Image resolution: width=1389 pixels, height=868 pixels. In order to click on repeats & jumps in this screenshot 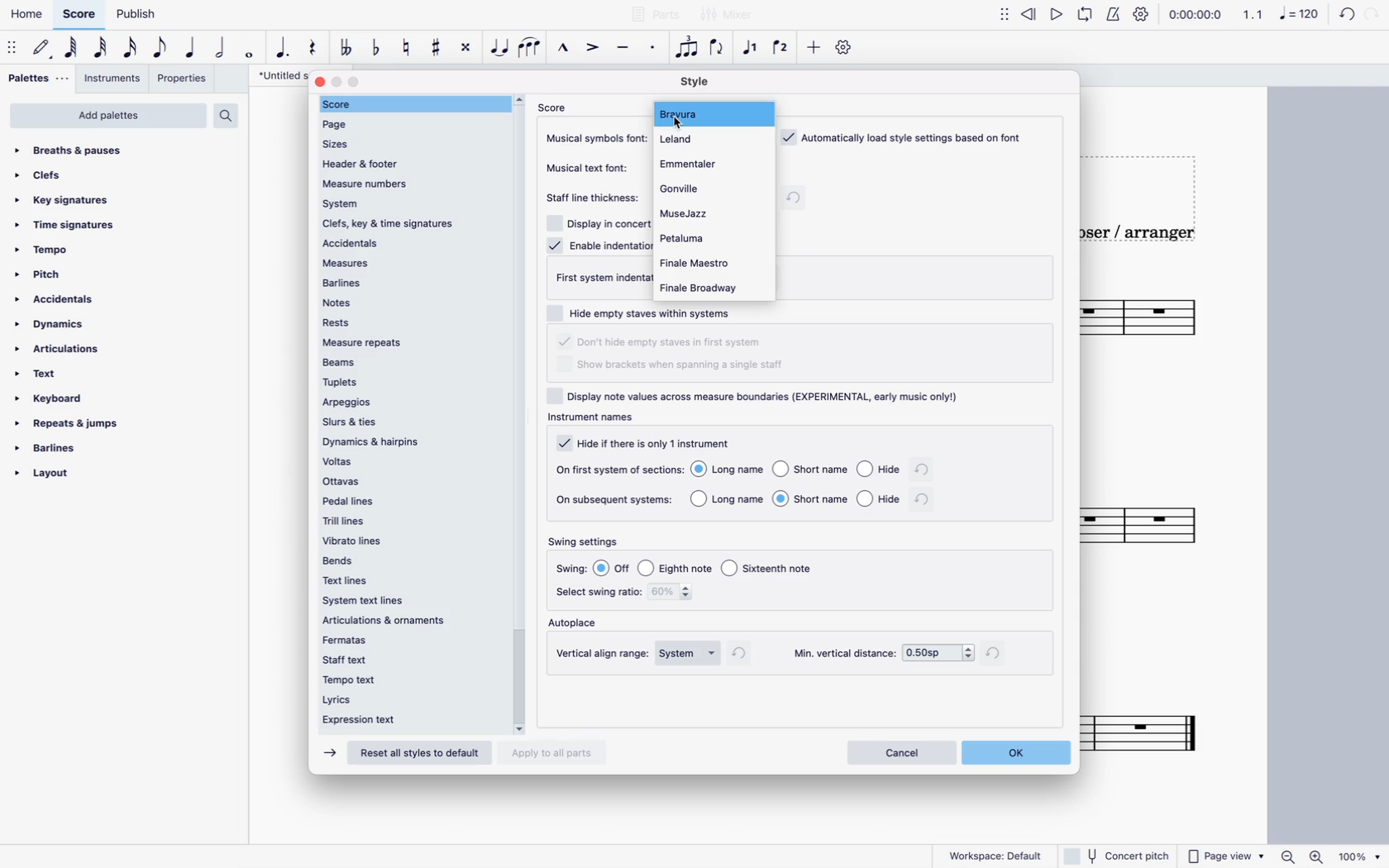, I will do `click(74, 424)`.